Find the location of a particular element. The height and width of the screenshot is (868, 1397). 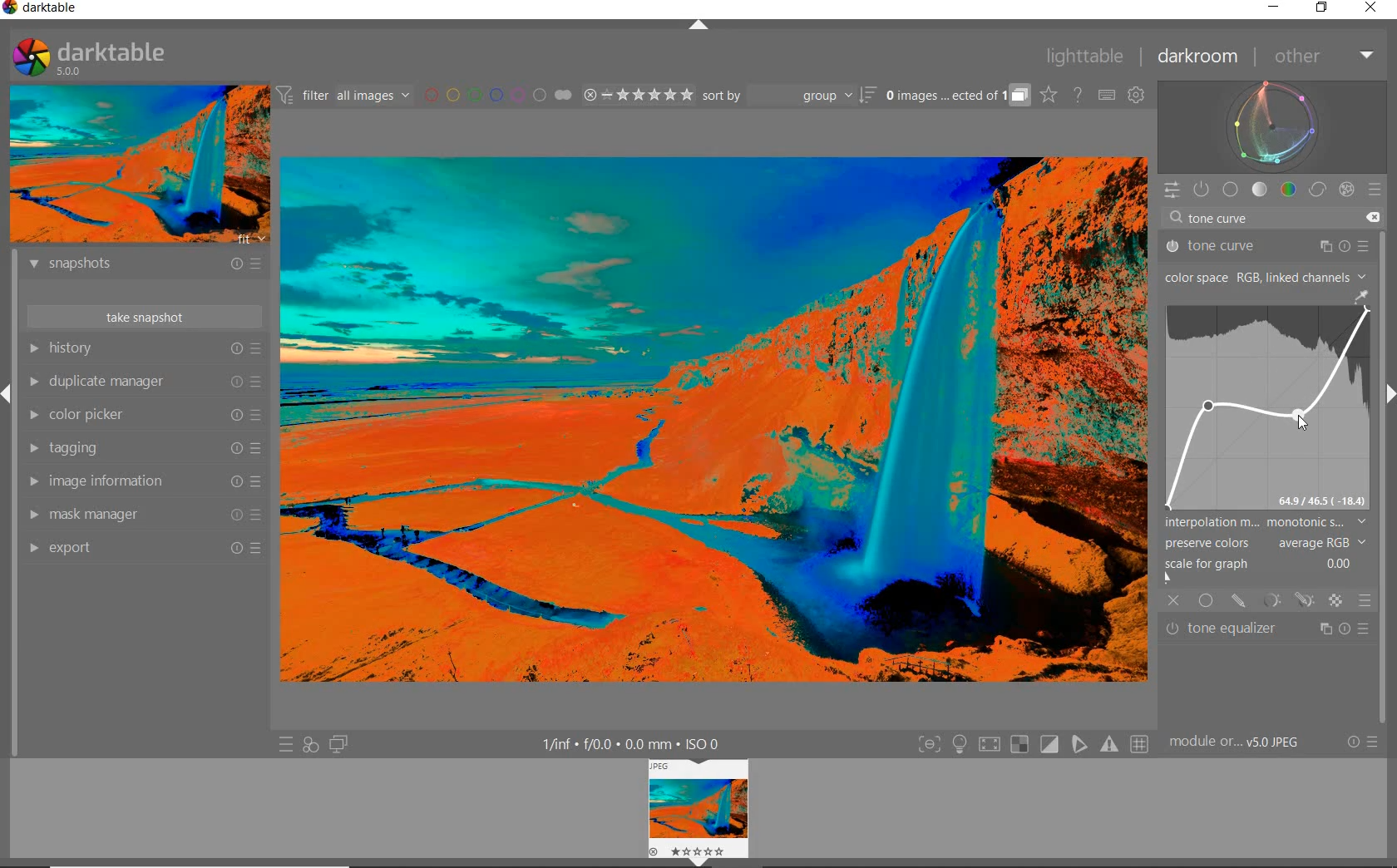

CURSOR is located at coordinates (1301, 418).